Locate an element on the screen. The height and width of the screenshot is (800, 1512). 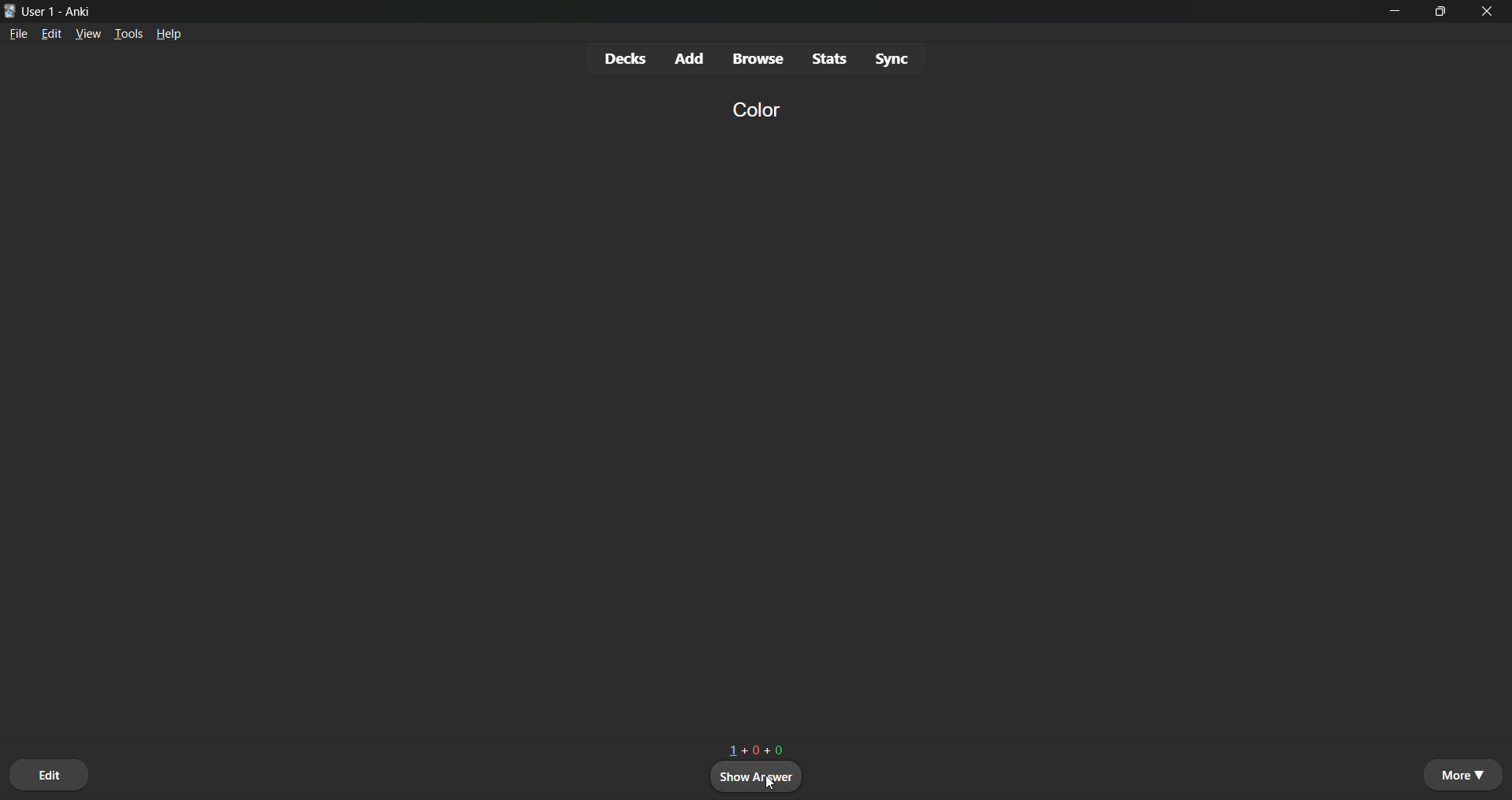
color is located at coordinates (753, 109).